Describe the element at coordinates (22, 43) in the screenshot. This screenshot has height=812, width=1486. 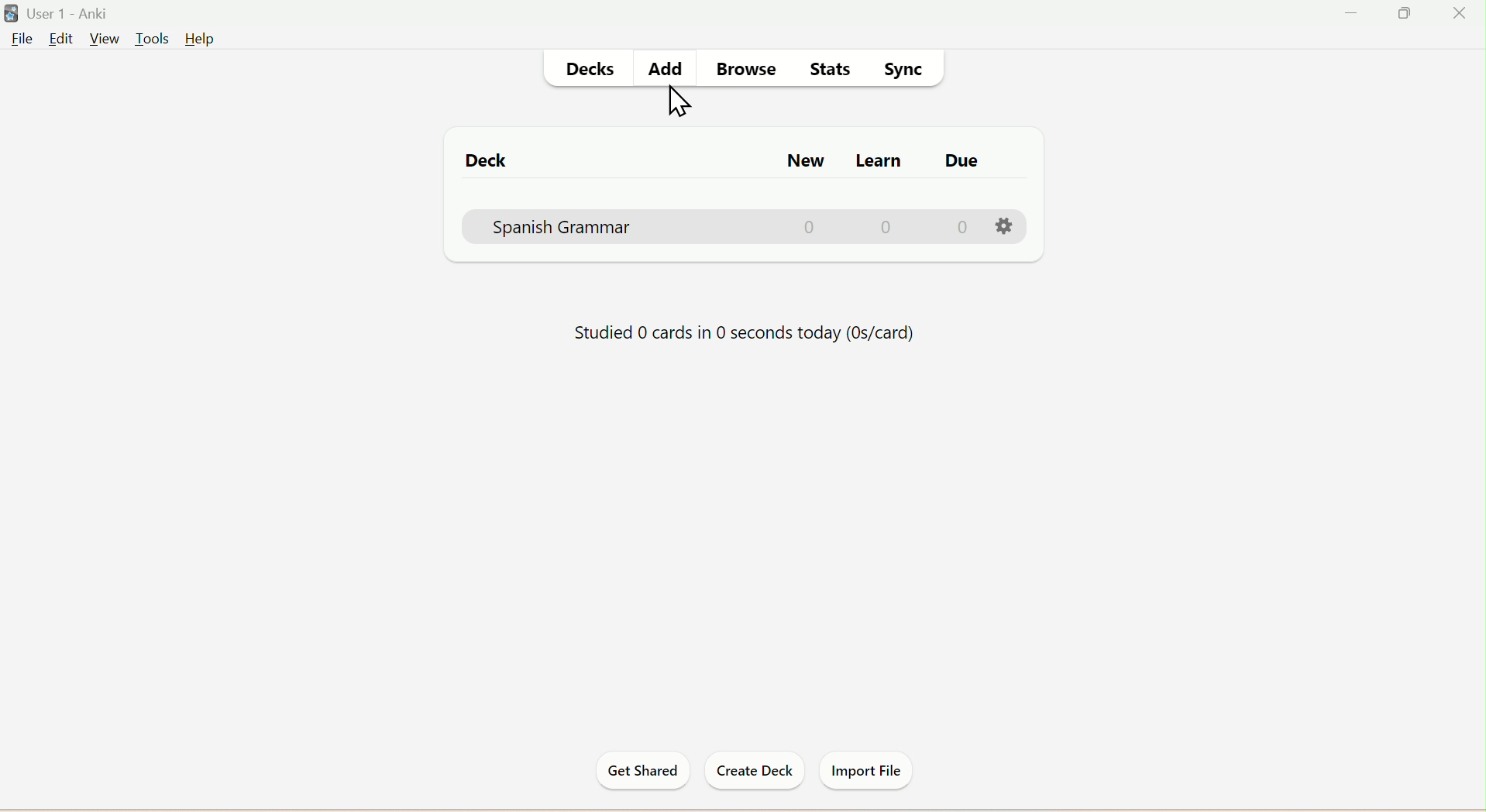
I see `` at that location.